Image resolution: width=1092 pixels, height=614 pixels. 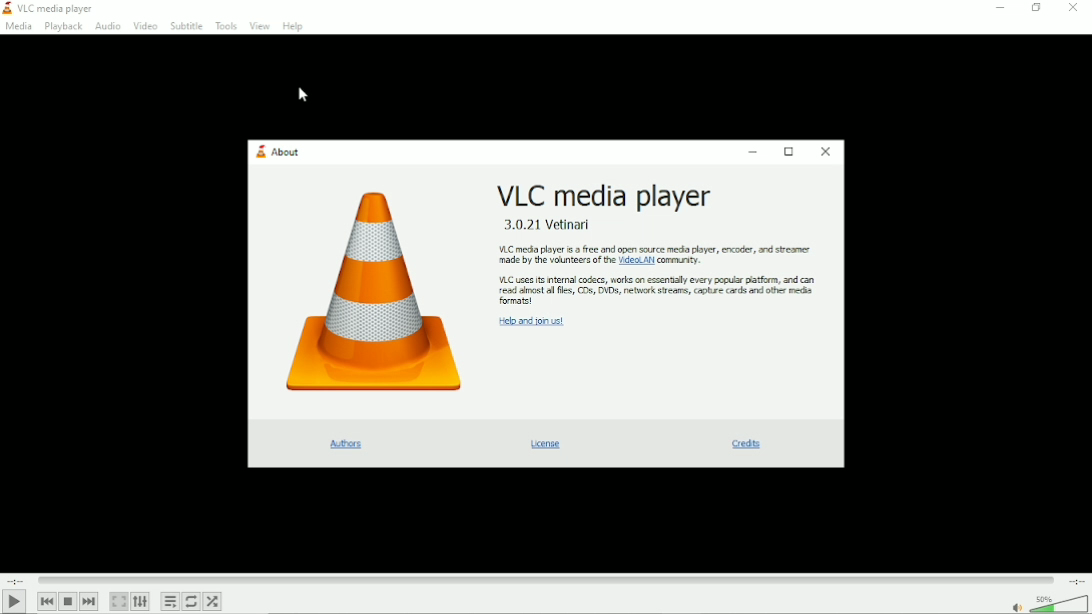 I want to click on vlc Logo, so click(x=373, y=294).